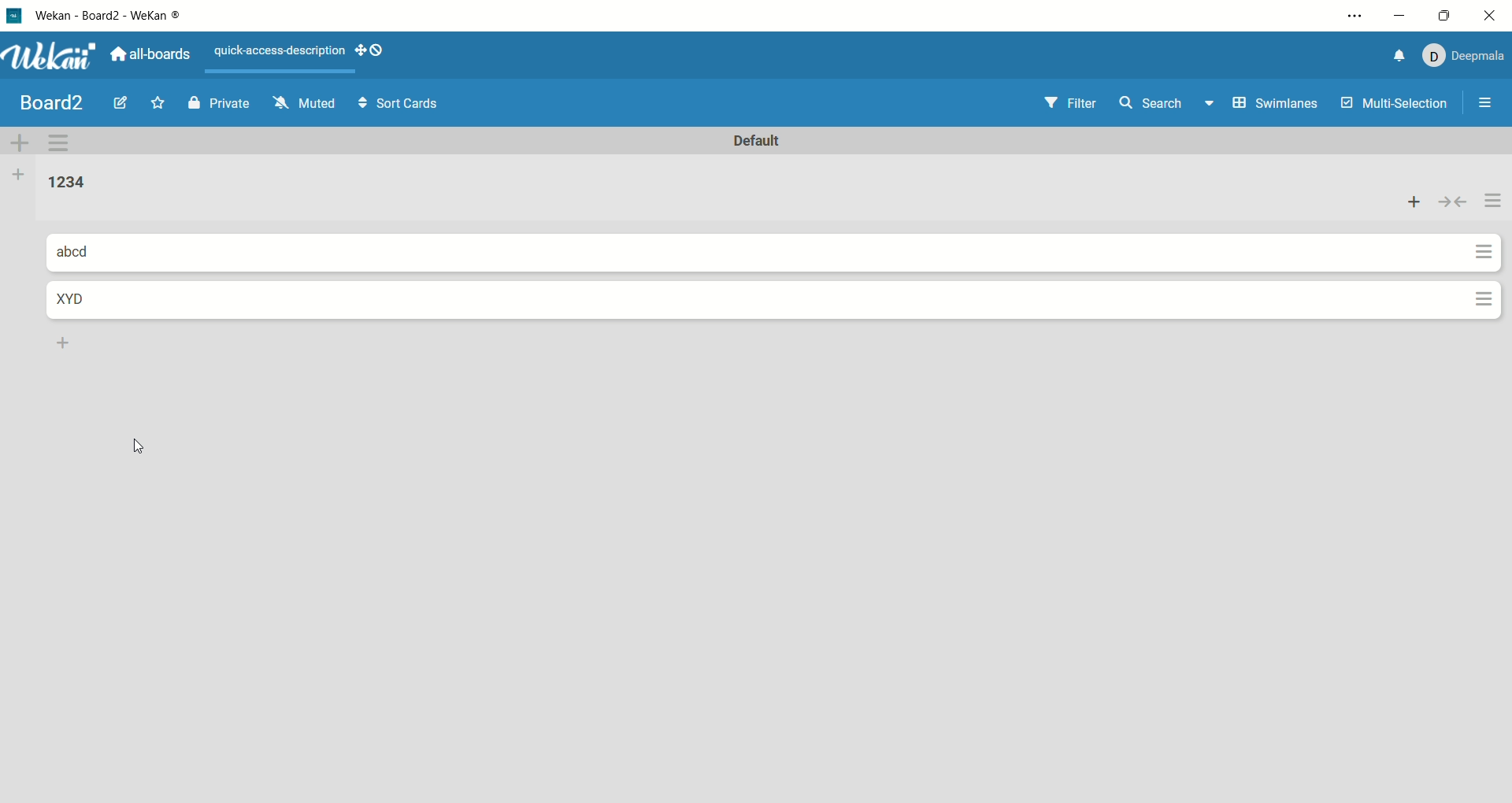 This screenshot has width=1512, height=803. What do you see at coordinates (142, 445) in the screenshot?
I see `cursor` at bounding box center [142, 445].